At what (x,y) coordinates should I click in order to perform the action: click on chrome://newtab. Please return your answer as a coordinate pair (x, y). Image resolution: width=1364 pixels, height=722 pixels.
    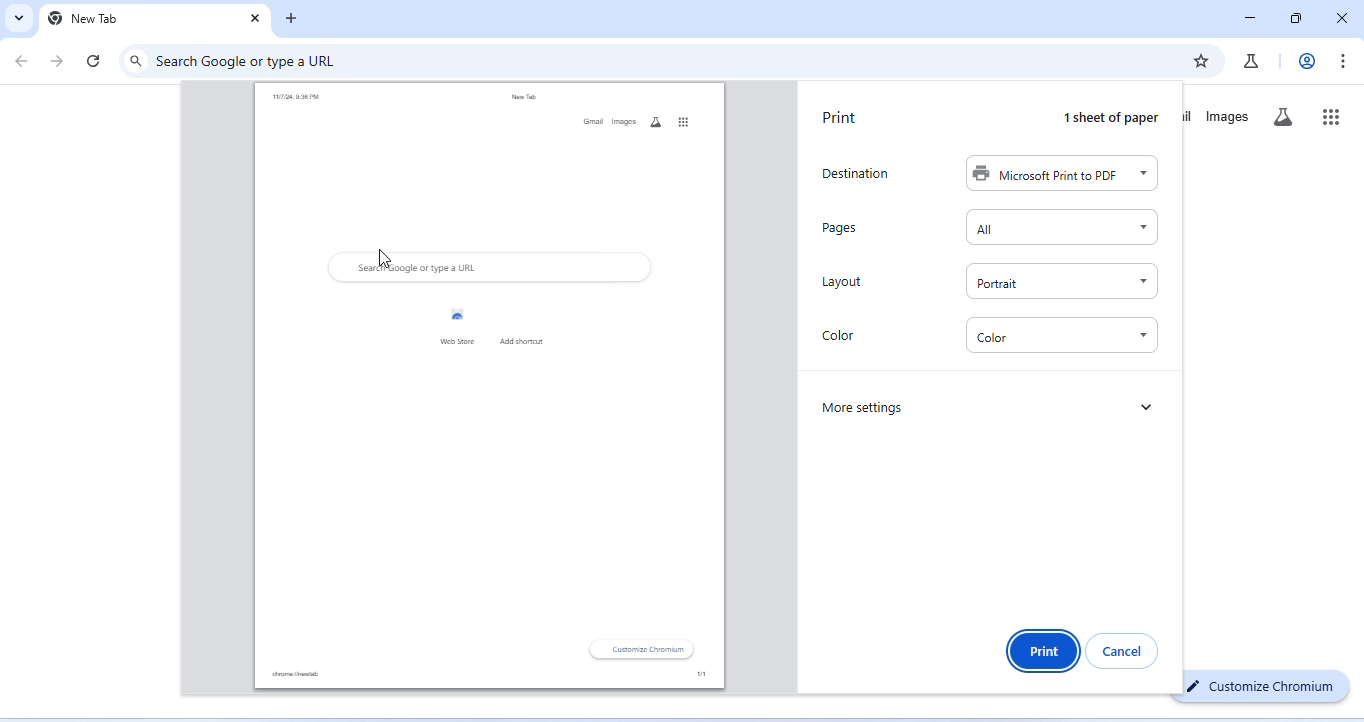
    Looking at the image, I should click on (294, 674).